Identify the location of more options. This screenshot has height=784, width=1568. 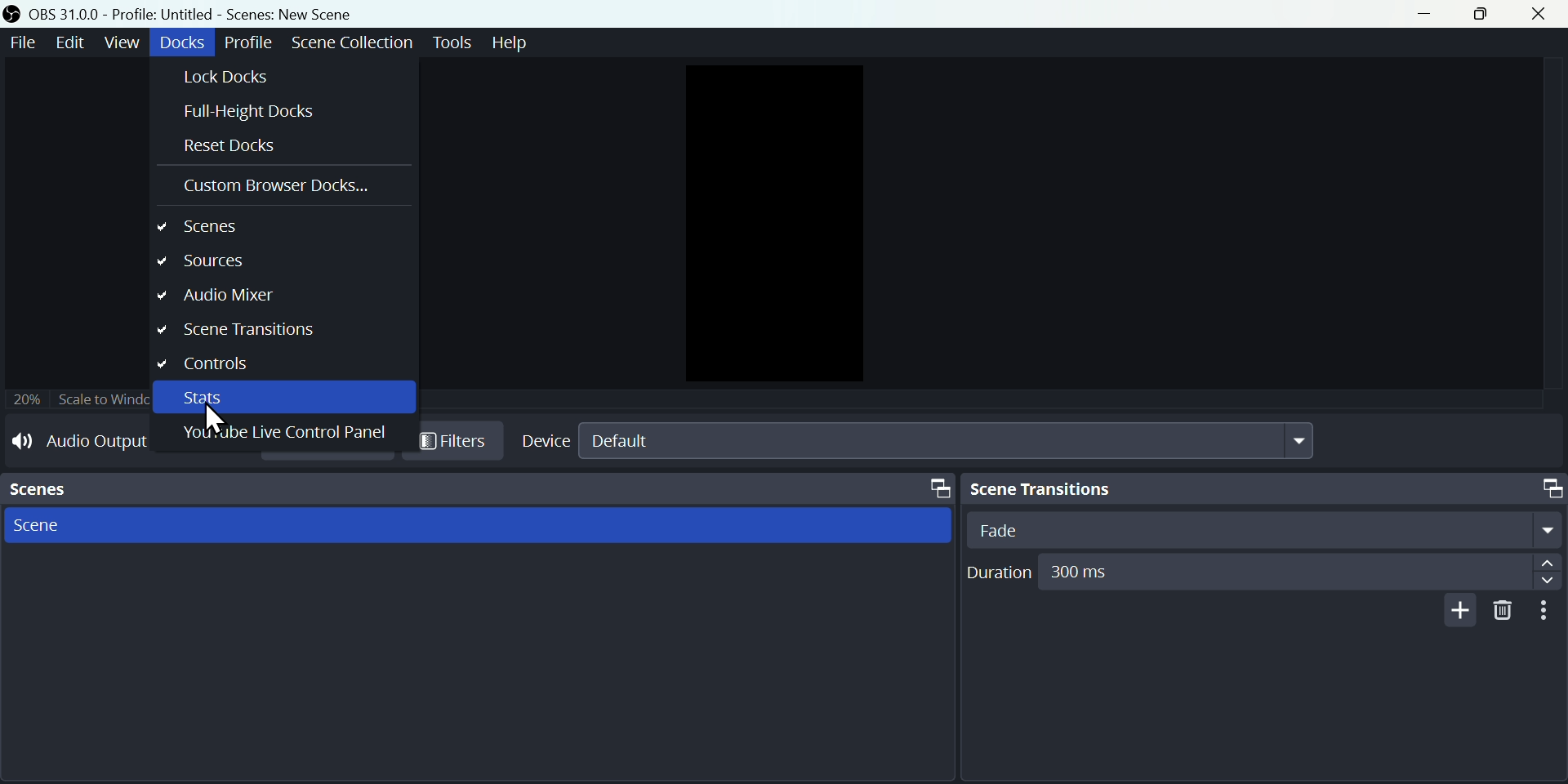
(1543, 612).